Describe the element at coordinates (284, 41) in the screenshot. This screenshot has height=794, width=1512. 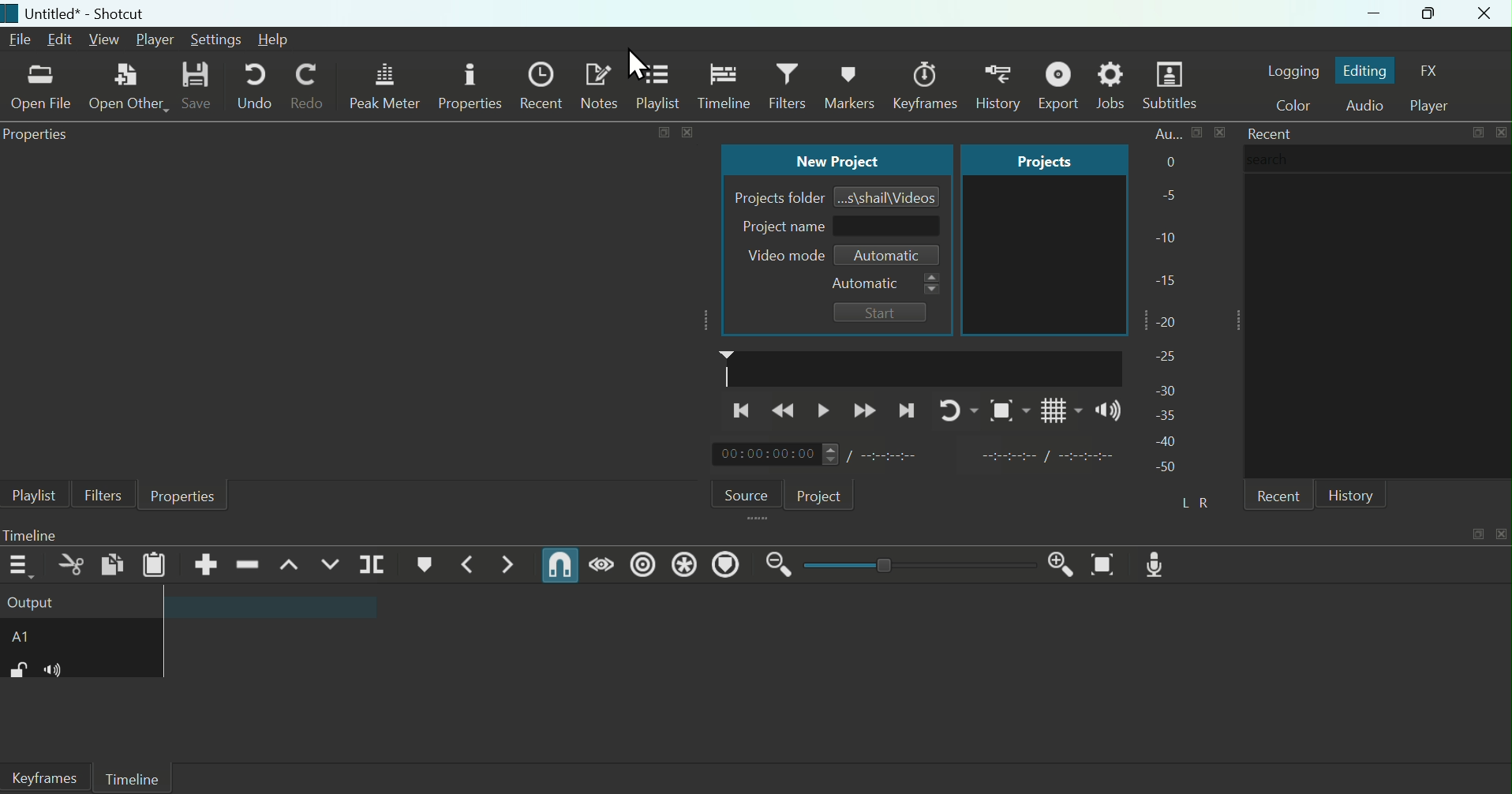
I see `Help` at that location.